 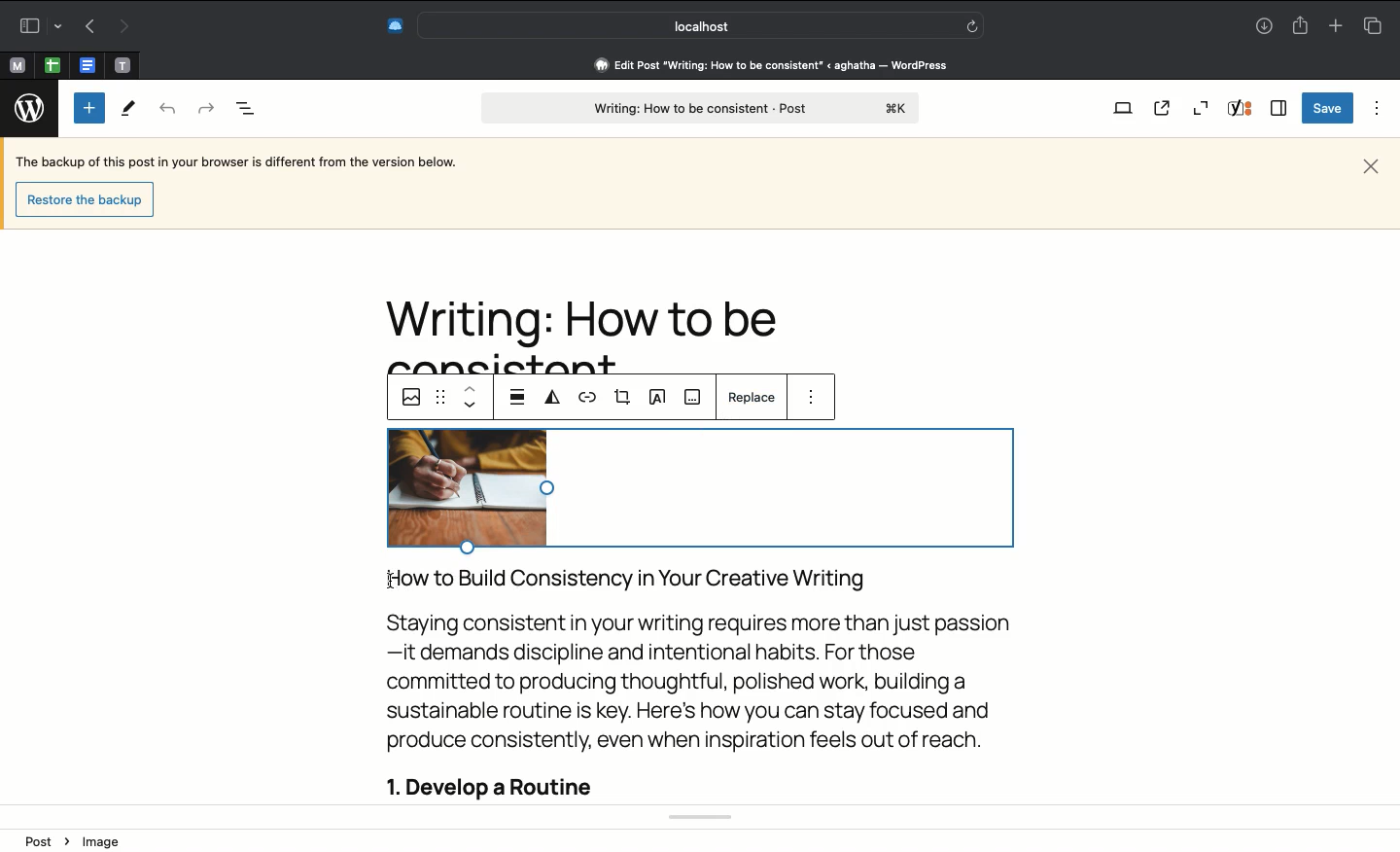 What do you see at coordinates (1204, 106) in the screenshot?
I see `Zoom out` at bounding box center [1204, 106].